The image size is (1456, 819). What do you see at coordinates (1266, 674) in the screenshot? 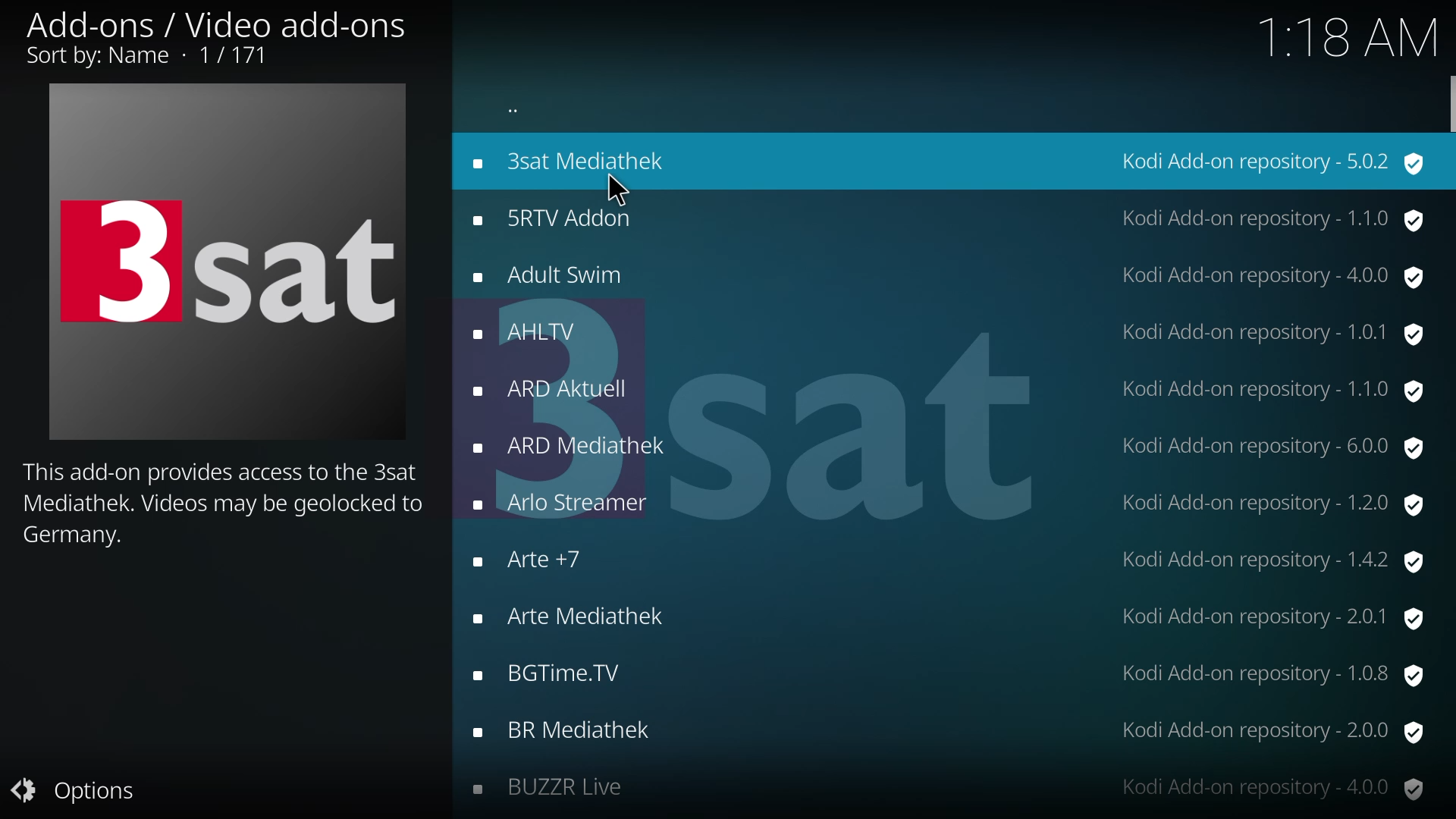
I see `version` at bounding box center [1266, 674].